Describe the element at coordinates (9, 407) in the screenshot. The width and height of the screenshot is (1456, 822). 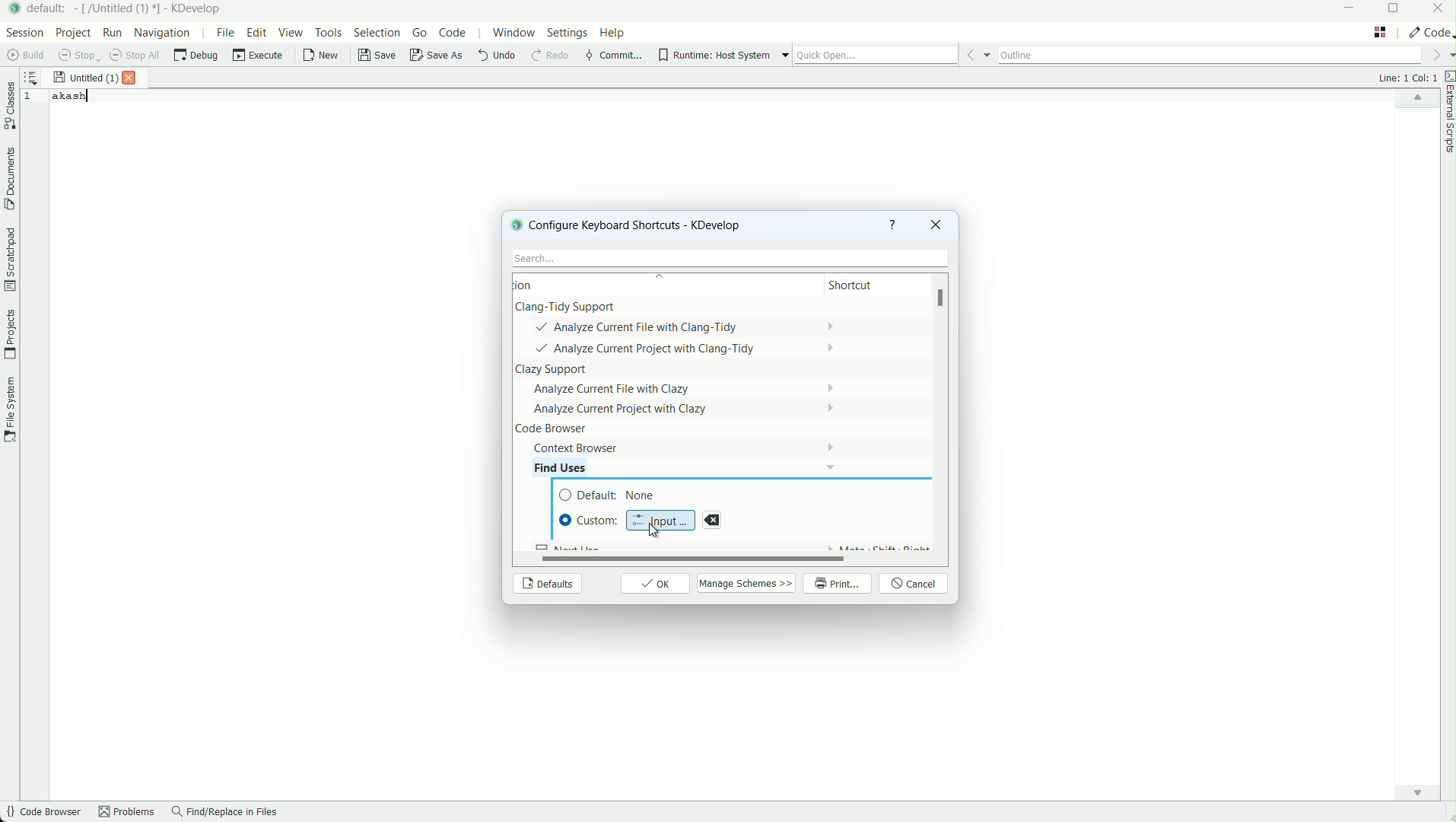
I see `file system` at that location.